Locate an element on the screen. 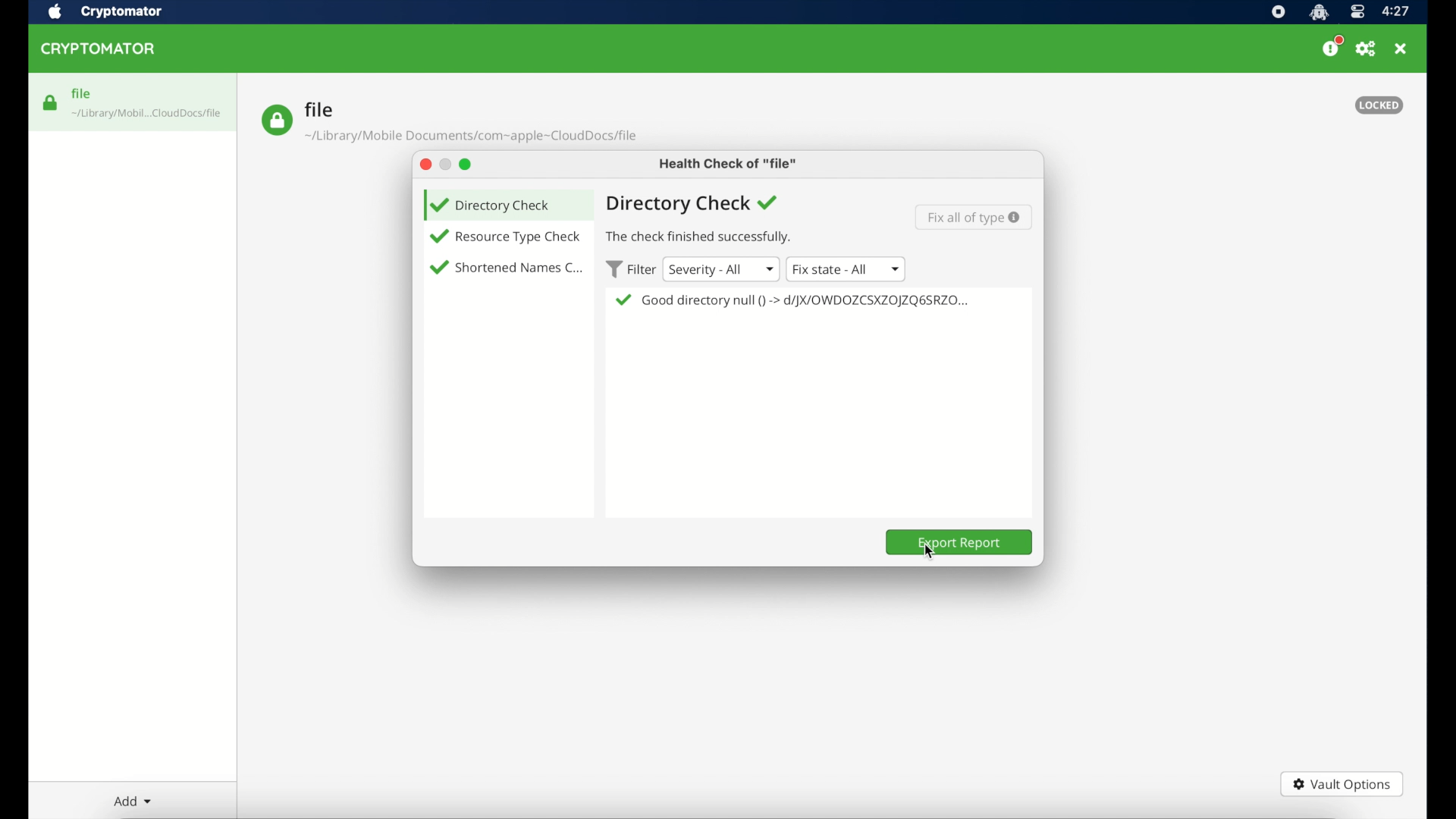 The width and height of the screenshot is (1456, 819). cryptomator icon is located at coordinates (1319, 12).